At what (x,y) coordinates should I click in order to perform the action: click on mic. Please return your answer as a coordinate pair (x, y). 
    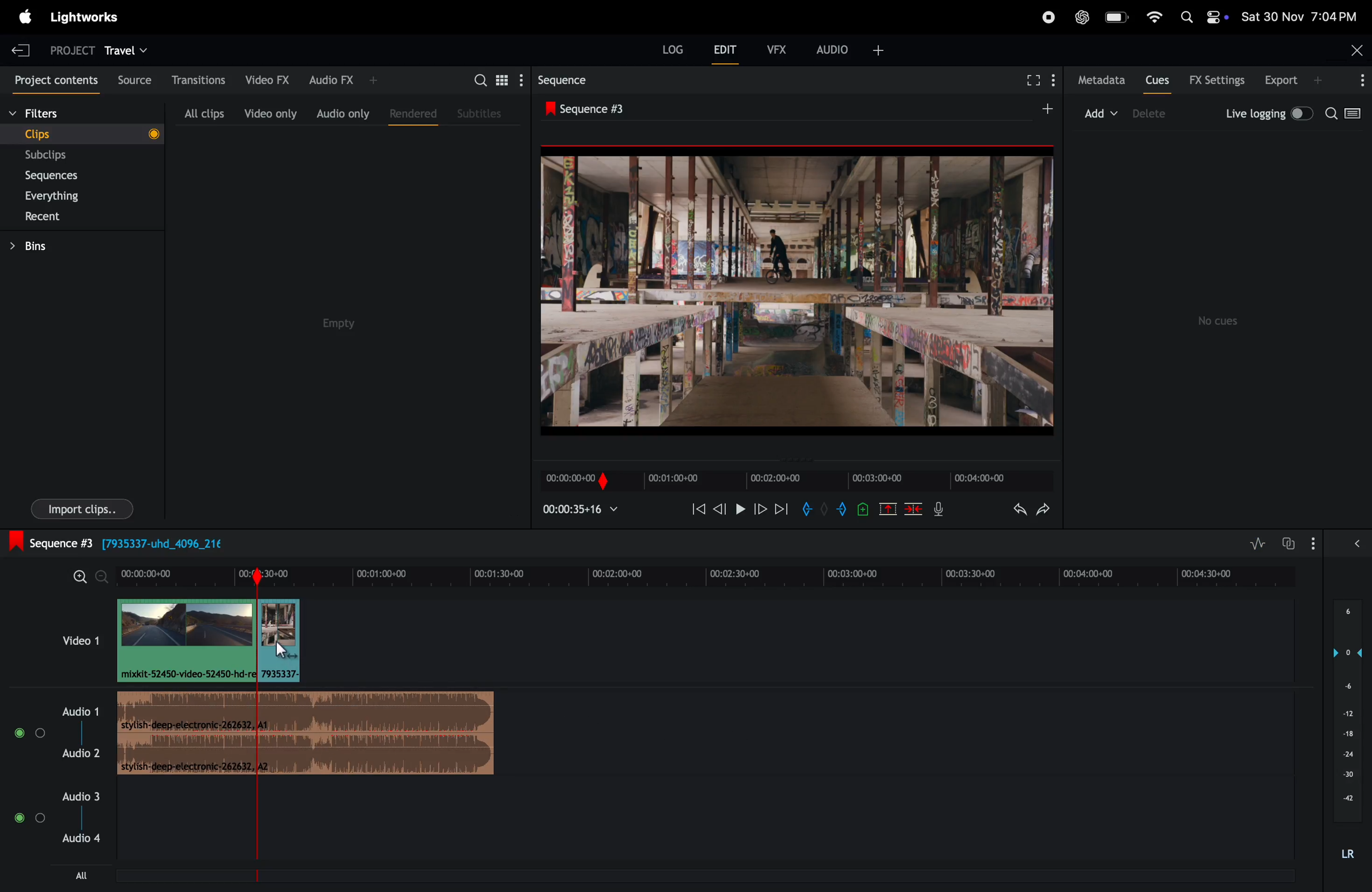
    Looking at the image, I should click on (937, 511).